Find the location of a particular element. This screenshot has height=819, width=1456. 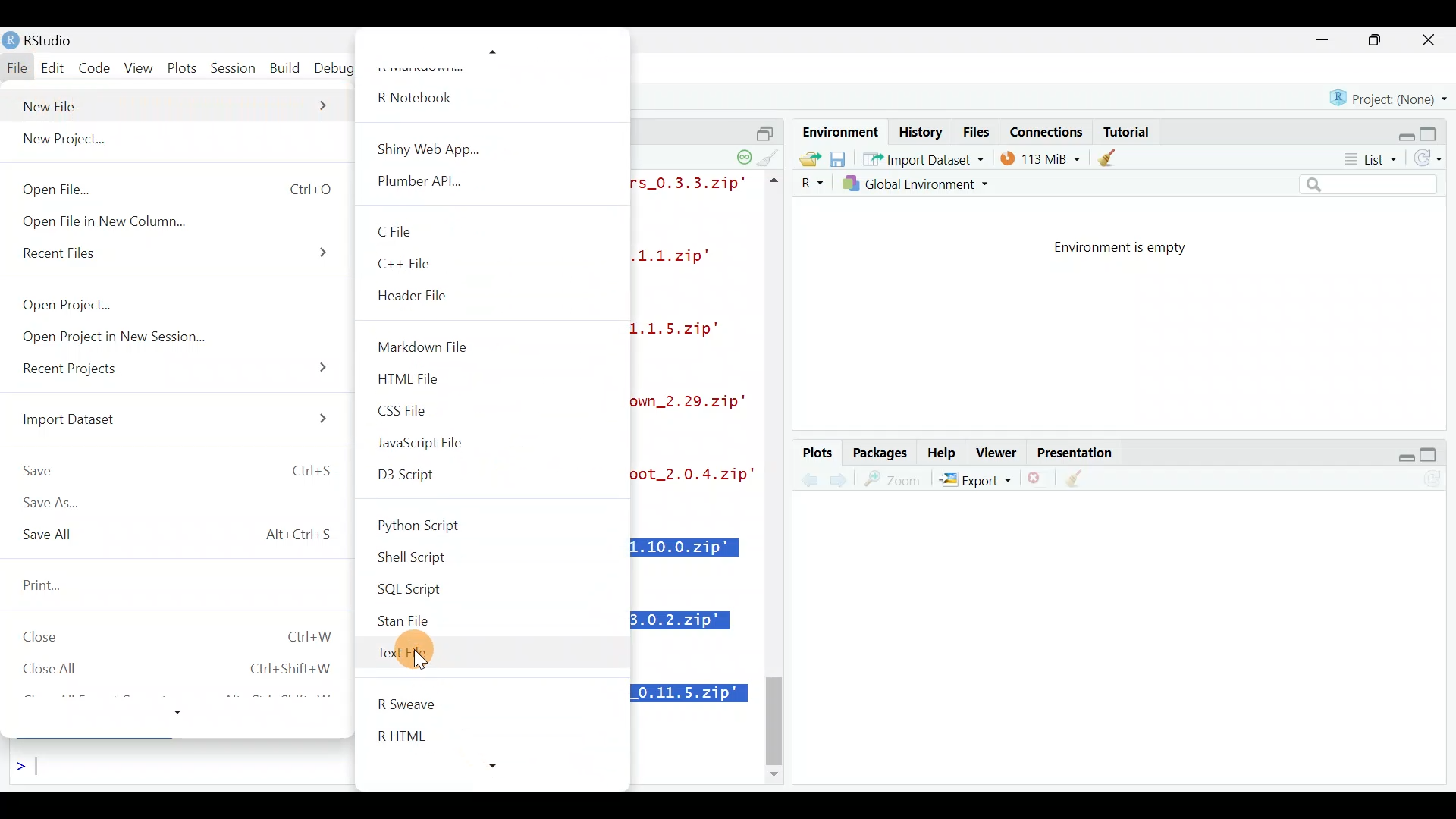

Open File in New Column. is located at coordinates (118, 220).